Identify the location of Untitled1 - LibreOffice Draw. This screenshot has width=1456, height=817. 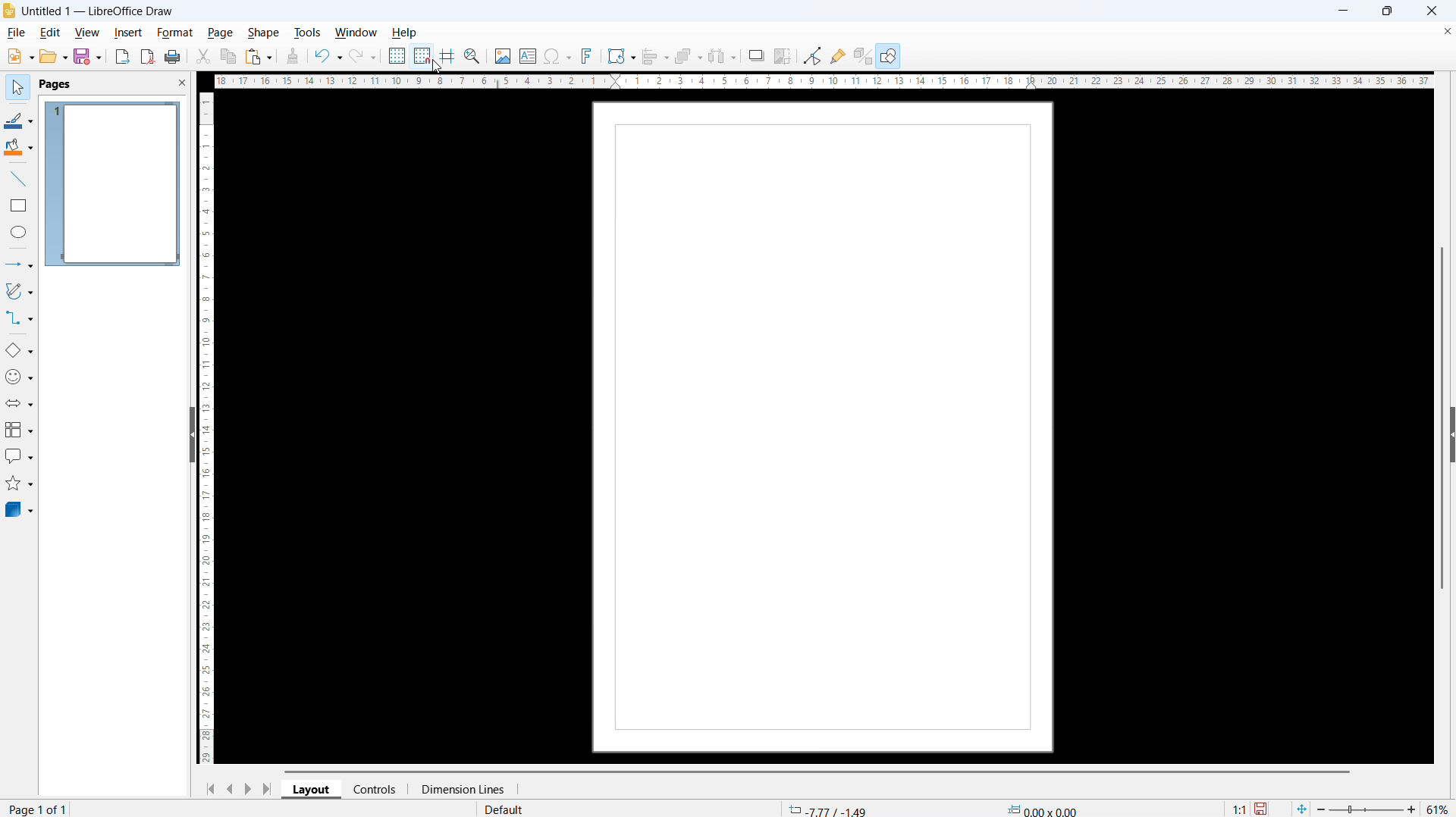
(96, 12).